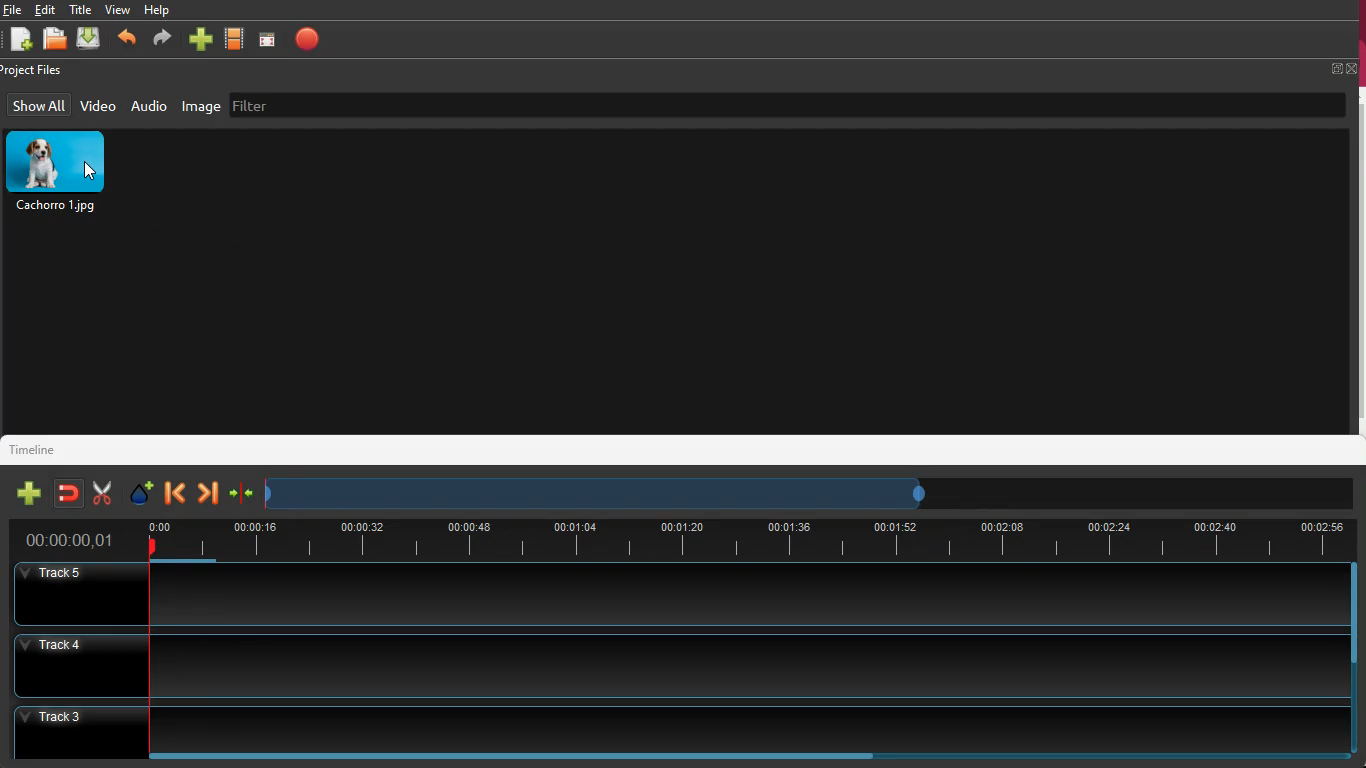 The height and width of the screenshot is (768, 1366). I want to click on forward, so click(160, 41).